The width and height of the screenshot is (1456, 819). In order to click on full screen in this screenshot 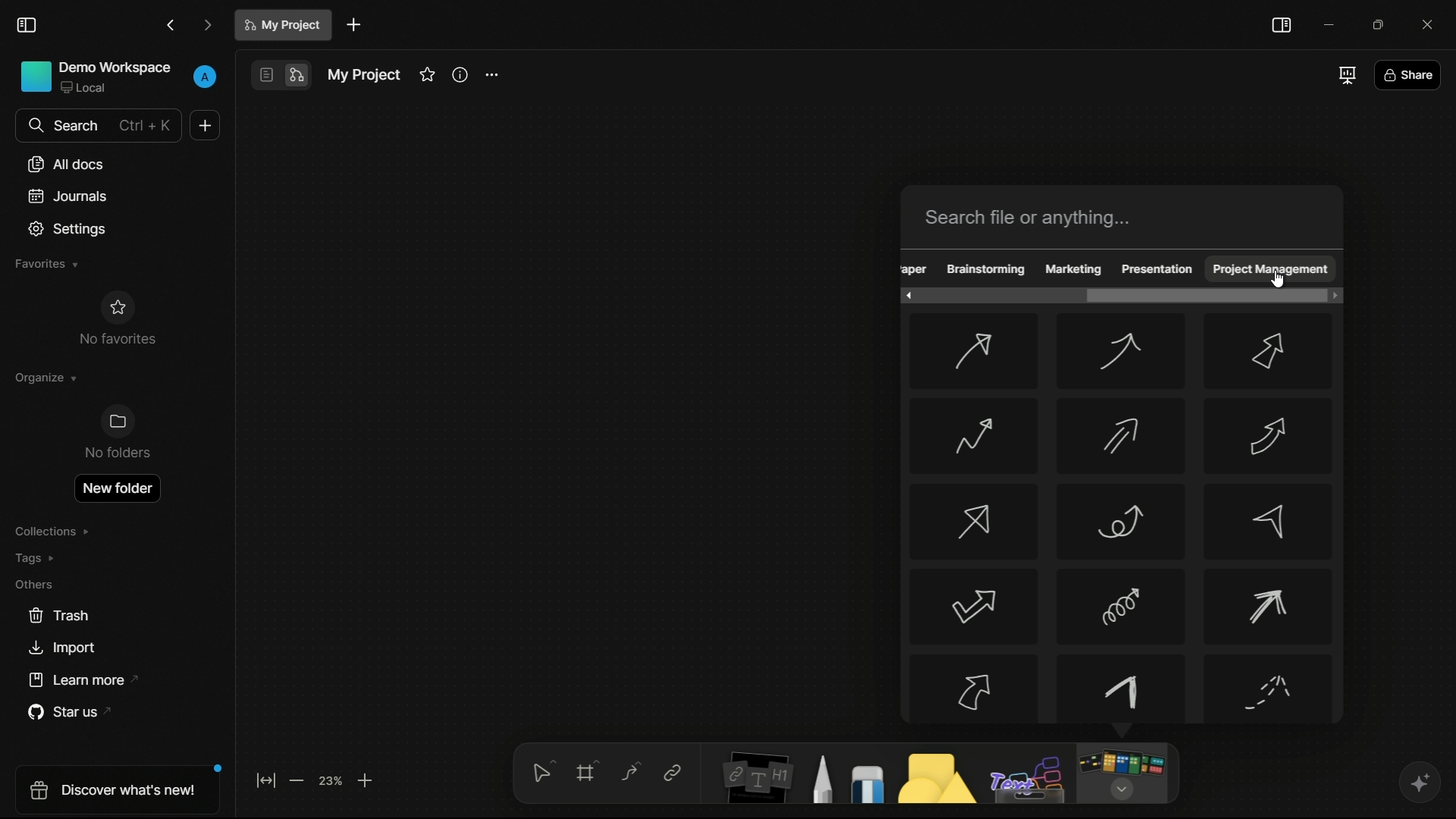, I will do `click(1345, 74)`.